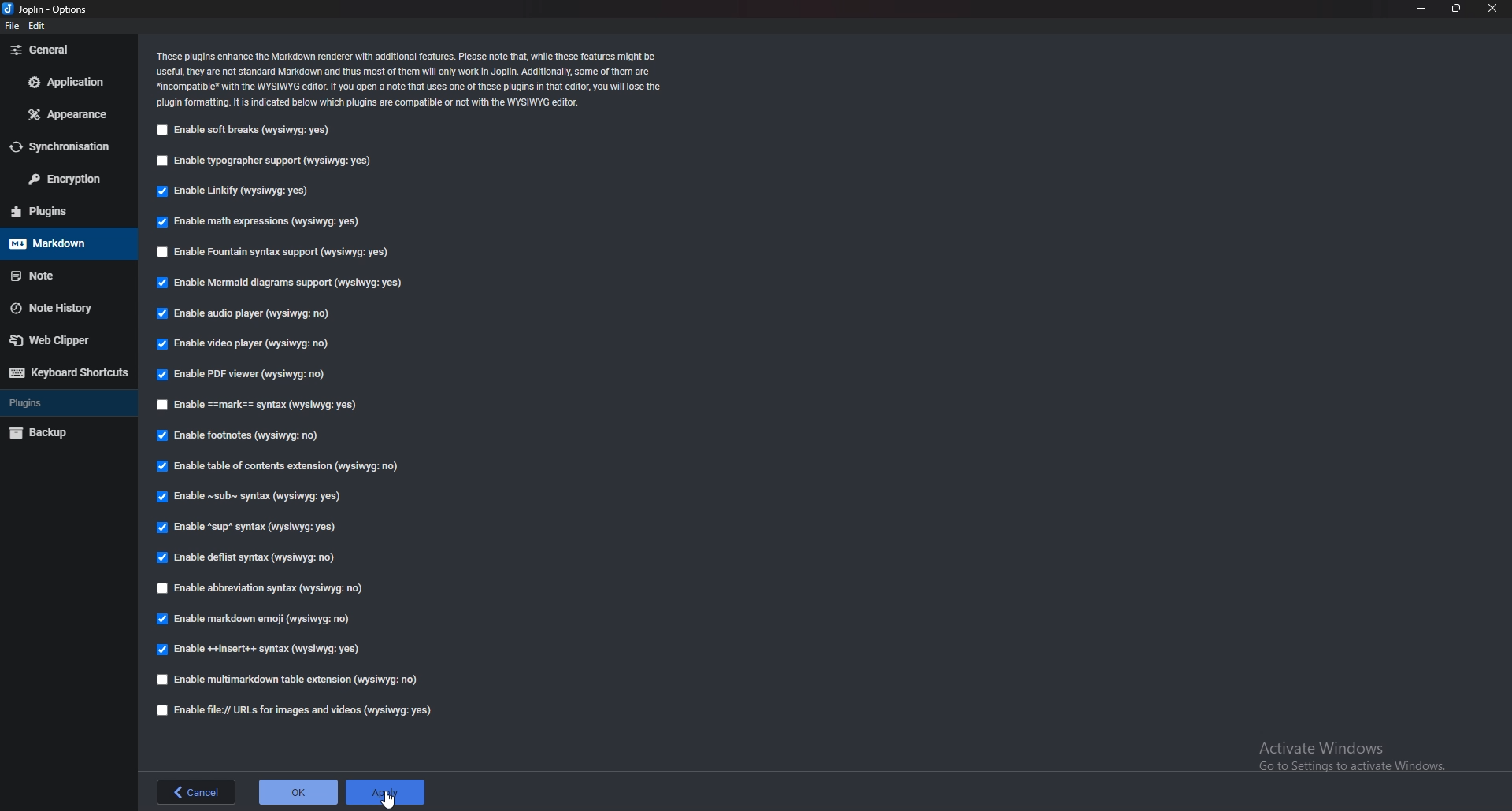 The width and height of the screenshot is (1512, 811). I want to click on Enable abbreviation syntax, so click(261, 590).